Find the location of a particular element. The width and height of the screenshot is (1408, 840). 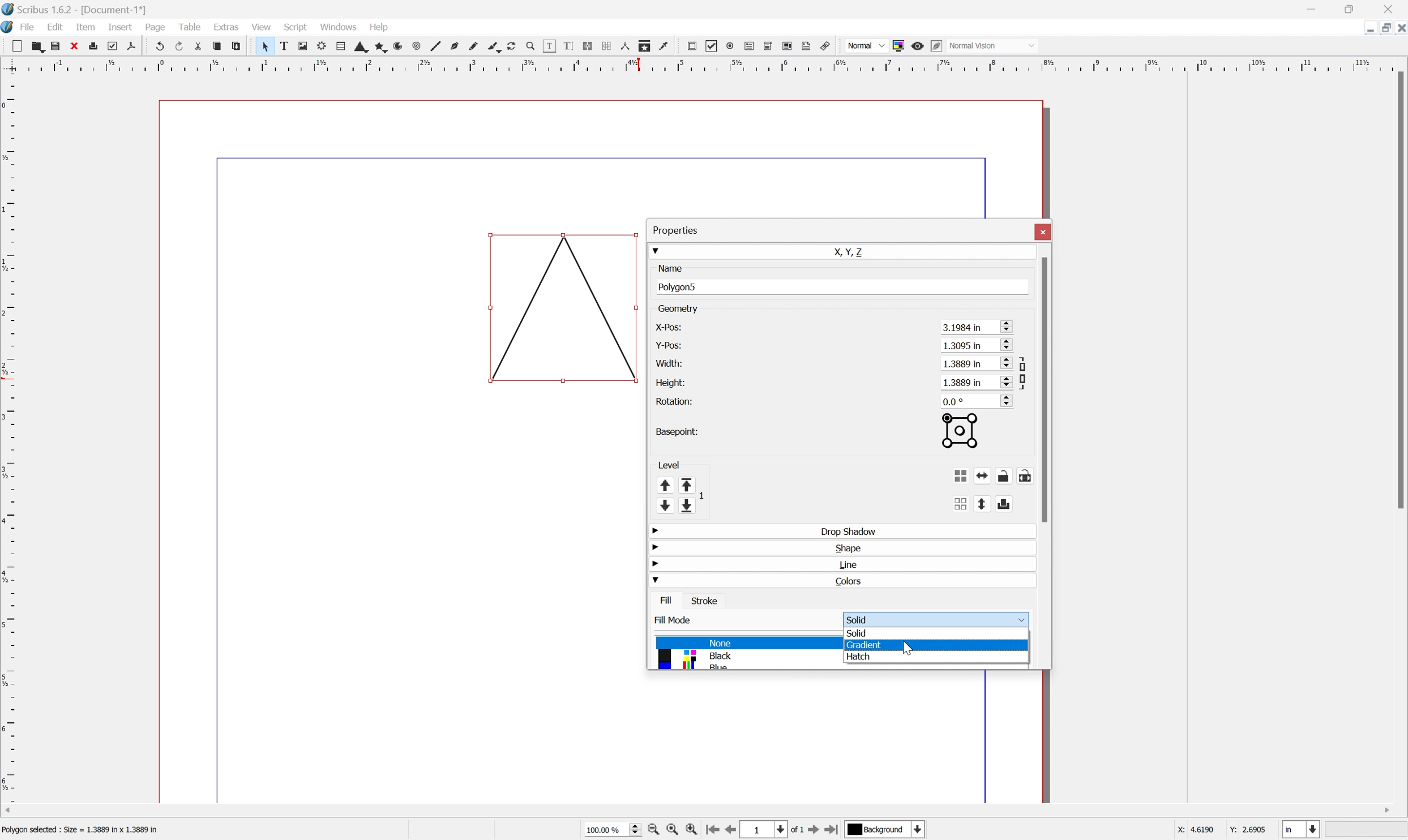

Extras is located at coordinates (226, 26).